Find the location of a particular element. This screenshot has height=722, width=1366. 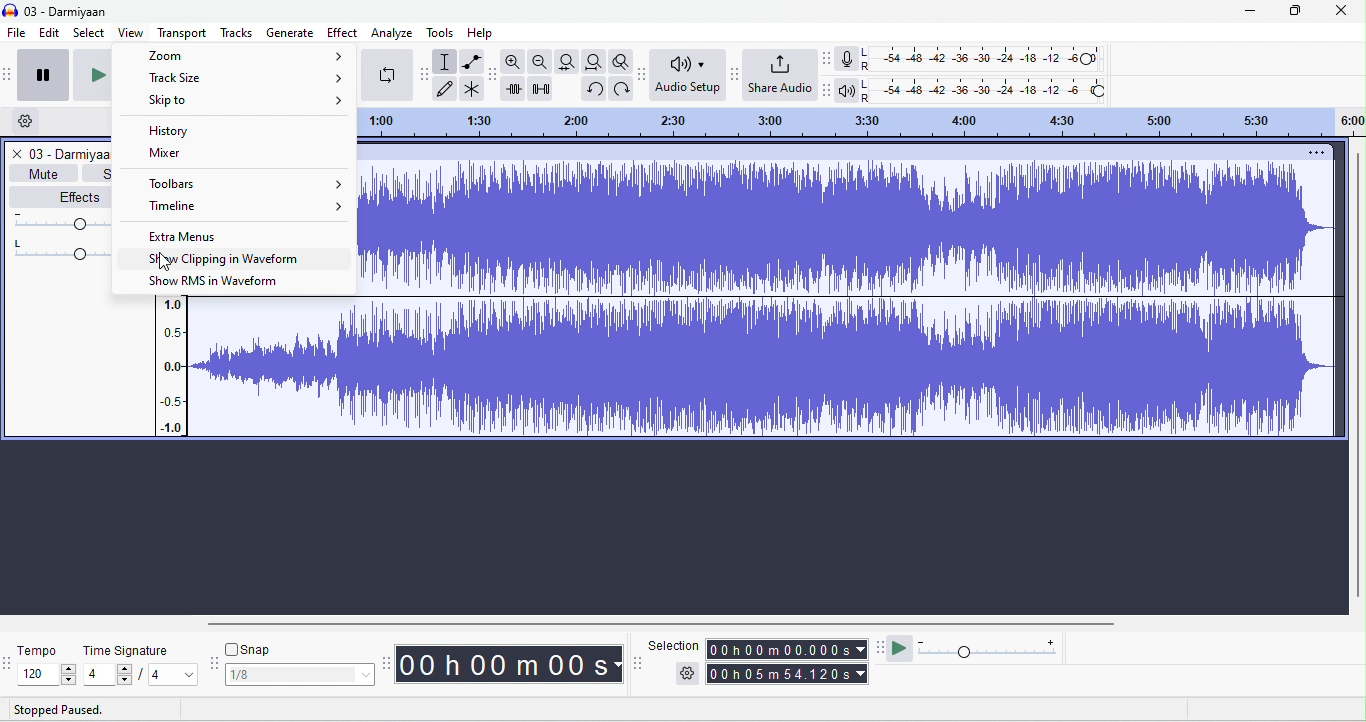

title is located at coordinates (56, 11).